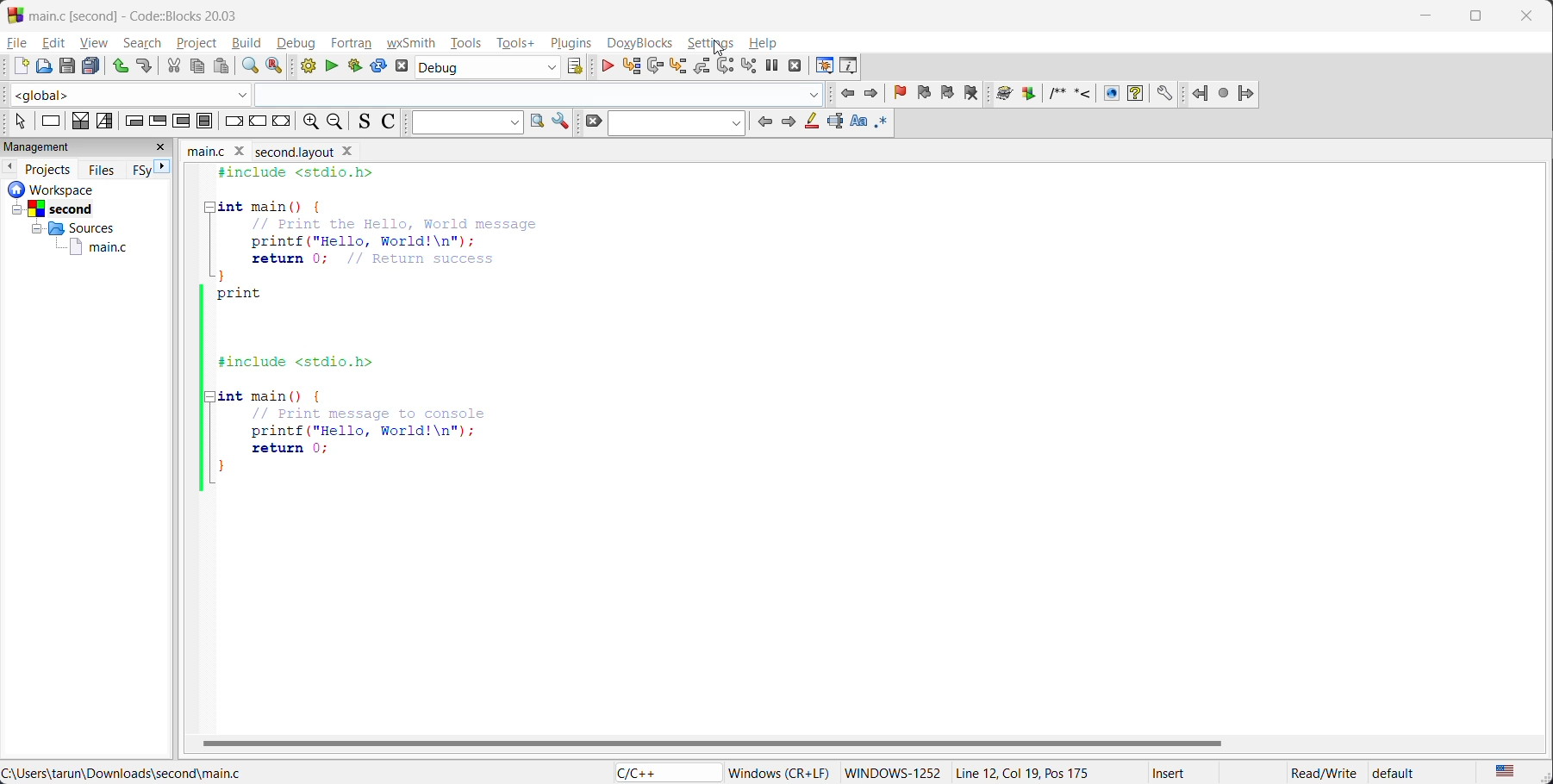  What do you see at coordinates (973, 92) in the screenshot?
I see `clear bookmark` at bounding box center [973, 92].